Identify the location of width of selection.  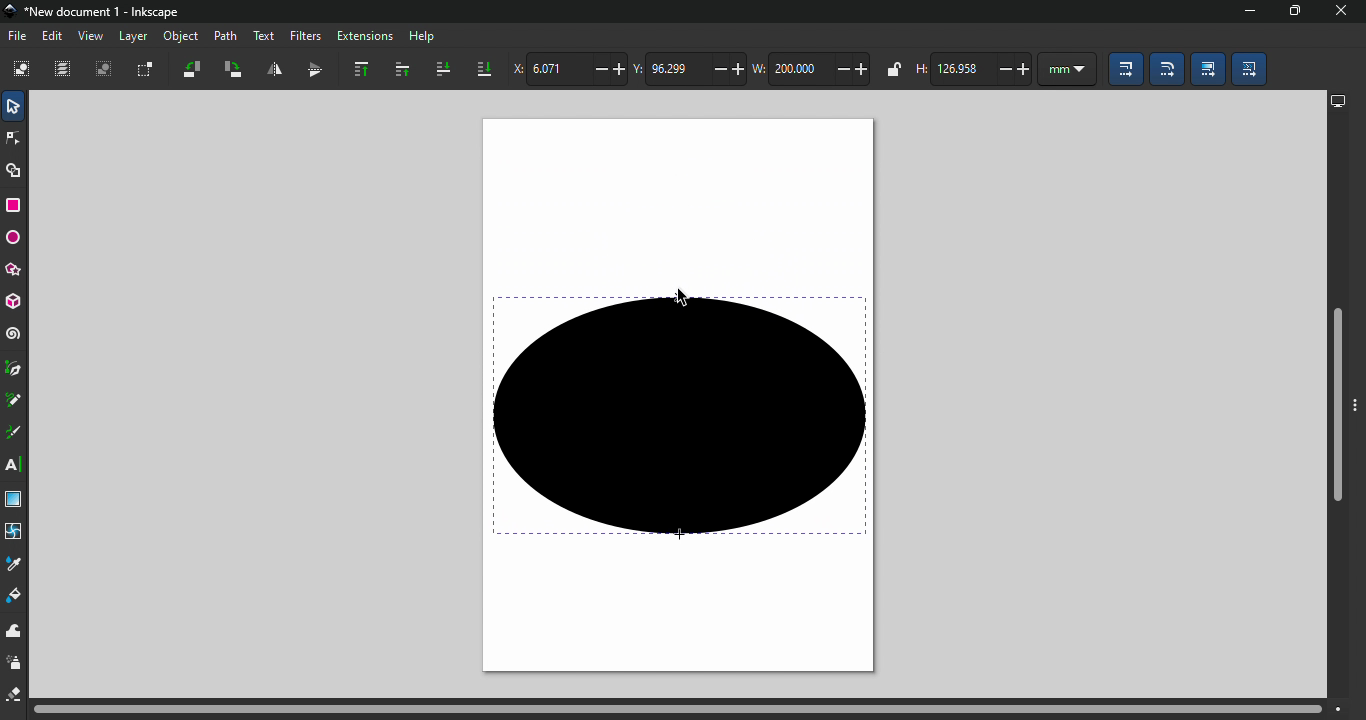
(812, 68).